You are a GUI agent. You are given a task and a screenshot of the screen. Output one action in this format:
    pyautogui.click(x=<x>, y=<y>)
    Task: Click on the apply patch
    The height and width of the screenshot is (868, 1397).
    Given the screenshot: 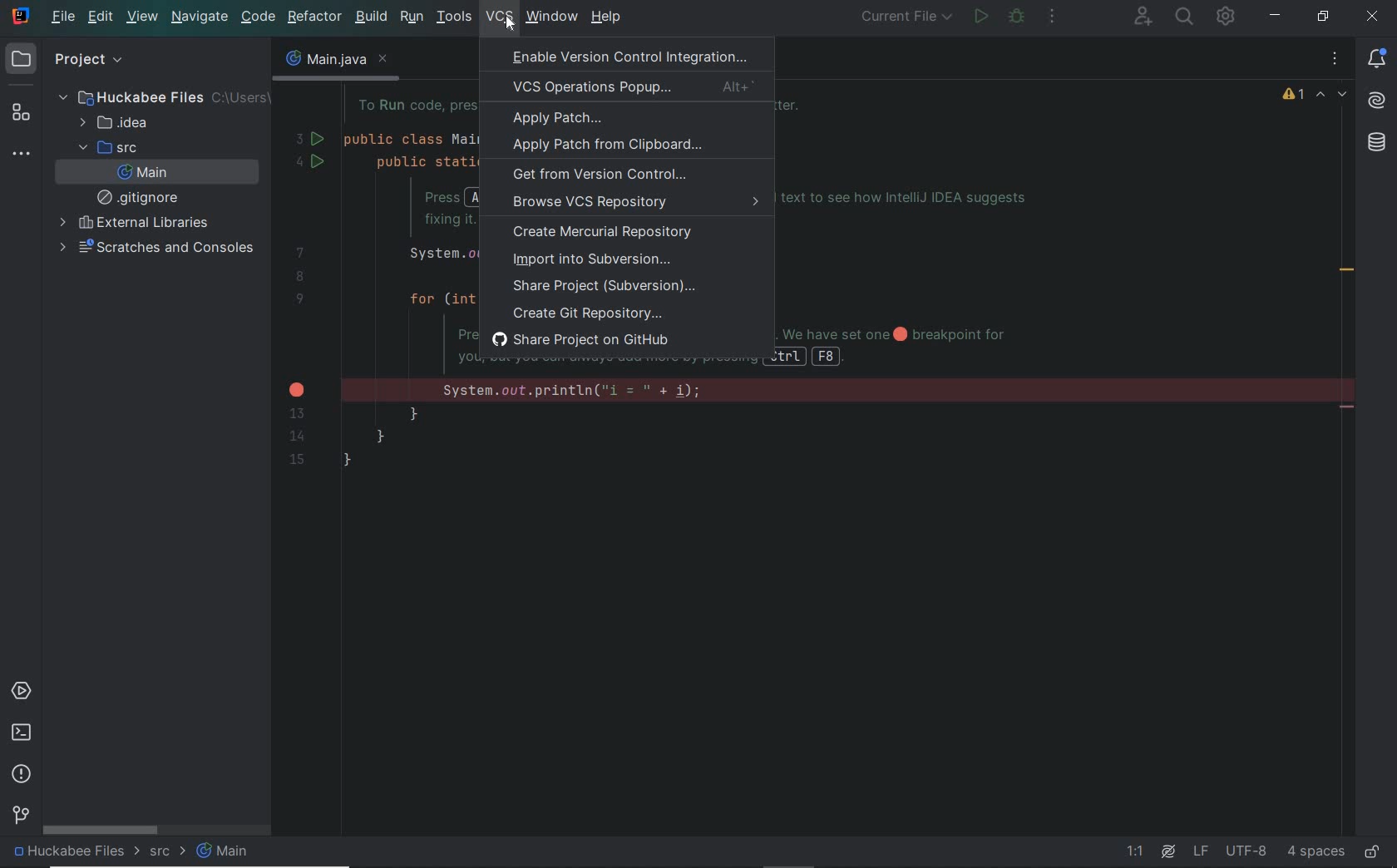 What is the action you would take?
    pyautogui.click(x=559, y=119)
    